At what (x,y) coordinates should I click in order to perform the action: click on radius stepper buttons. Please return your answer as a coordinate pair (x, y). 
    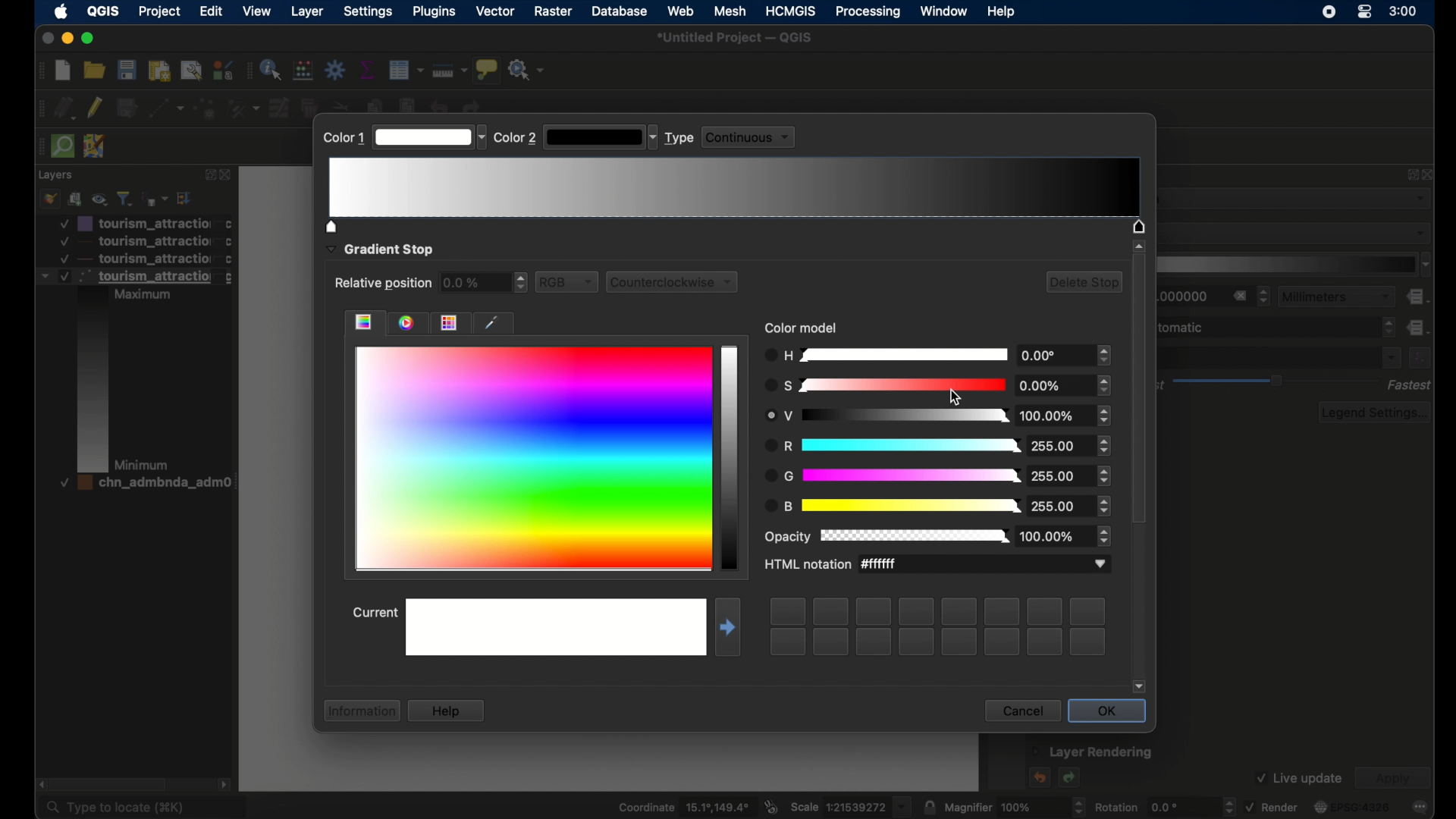
    Looking at the image, I should click on (1215, 297).